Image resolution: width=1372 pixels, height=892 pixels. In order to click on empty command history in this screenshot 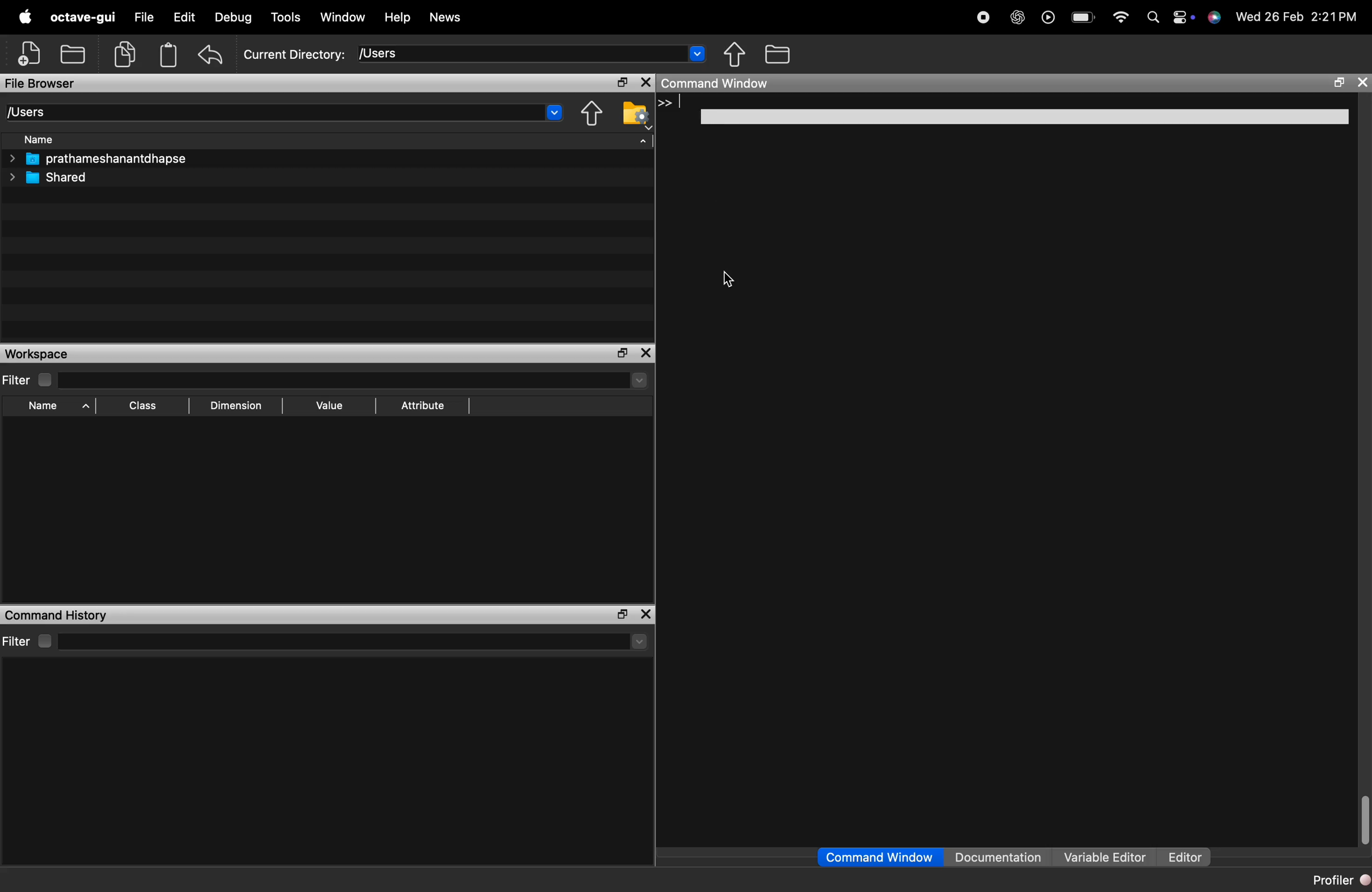, I will do `click(1005, 486)`.